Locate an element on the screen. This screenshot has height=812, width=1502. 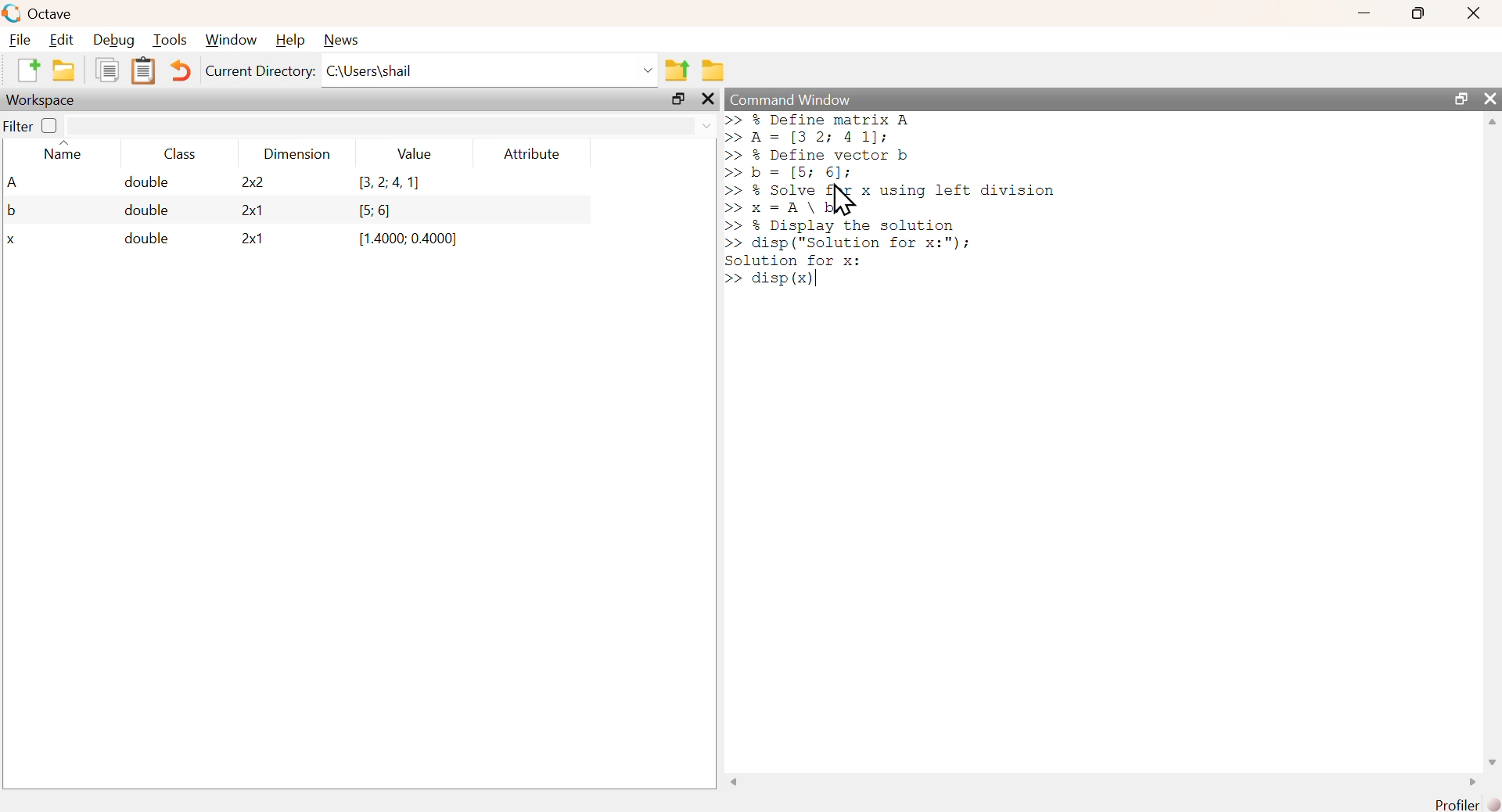
help is located at coordinates (289, 40).